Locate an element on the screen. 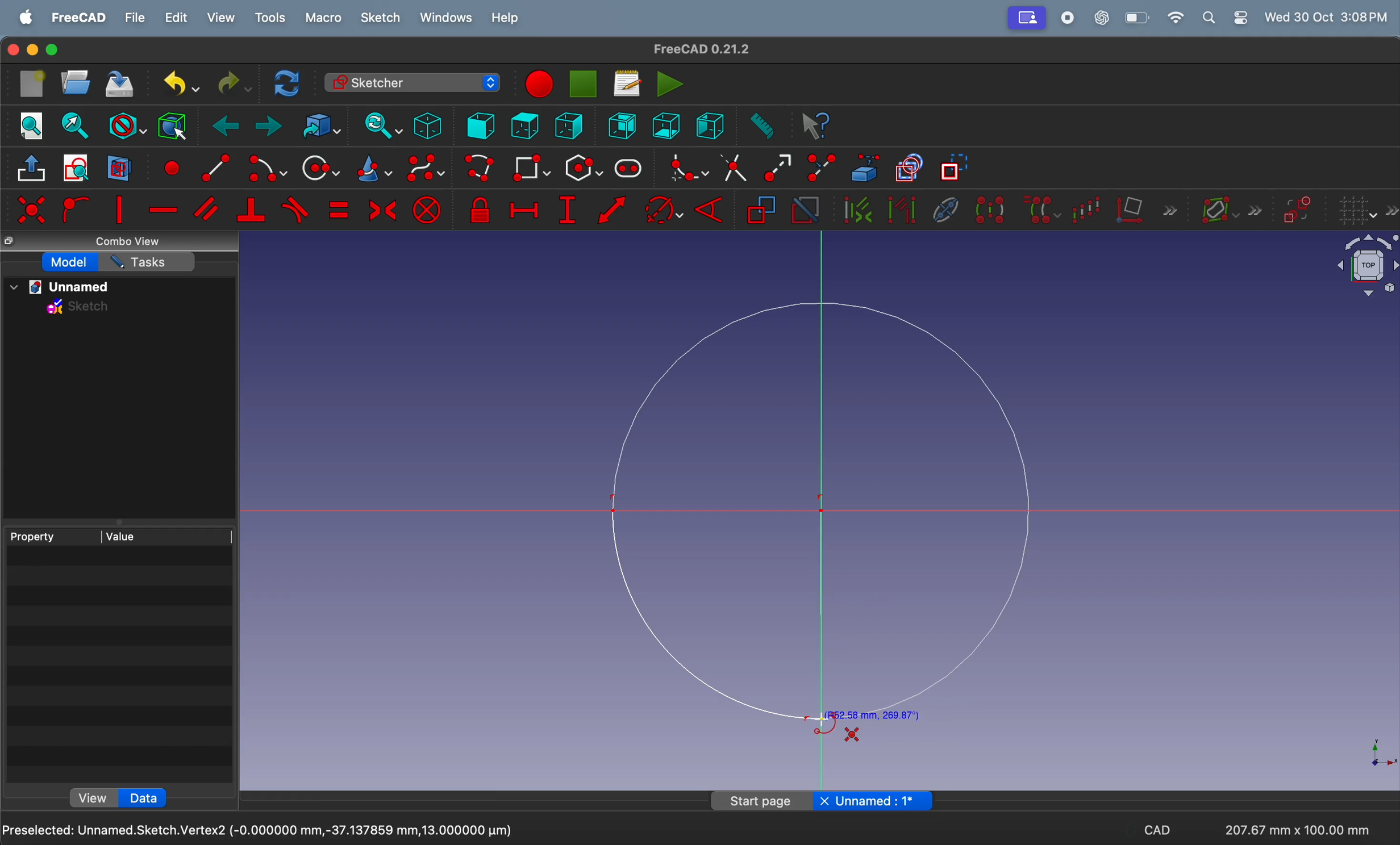  rear view is located at coordinates (625, 125).